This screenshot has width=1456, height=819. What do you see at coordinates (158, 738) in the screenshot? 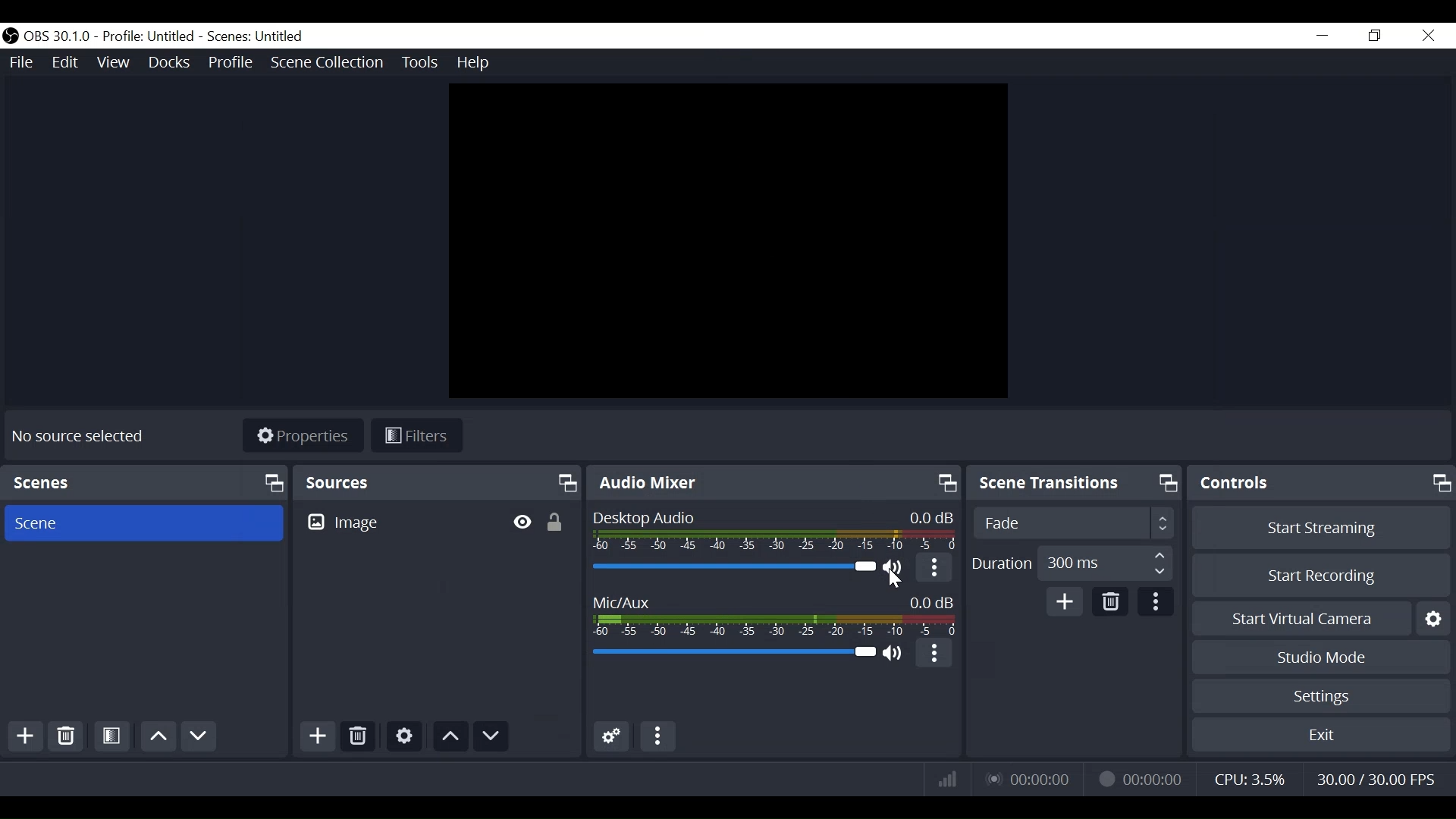
I see `Move Up` at bounding box center [158, 738].